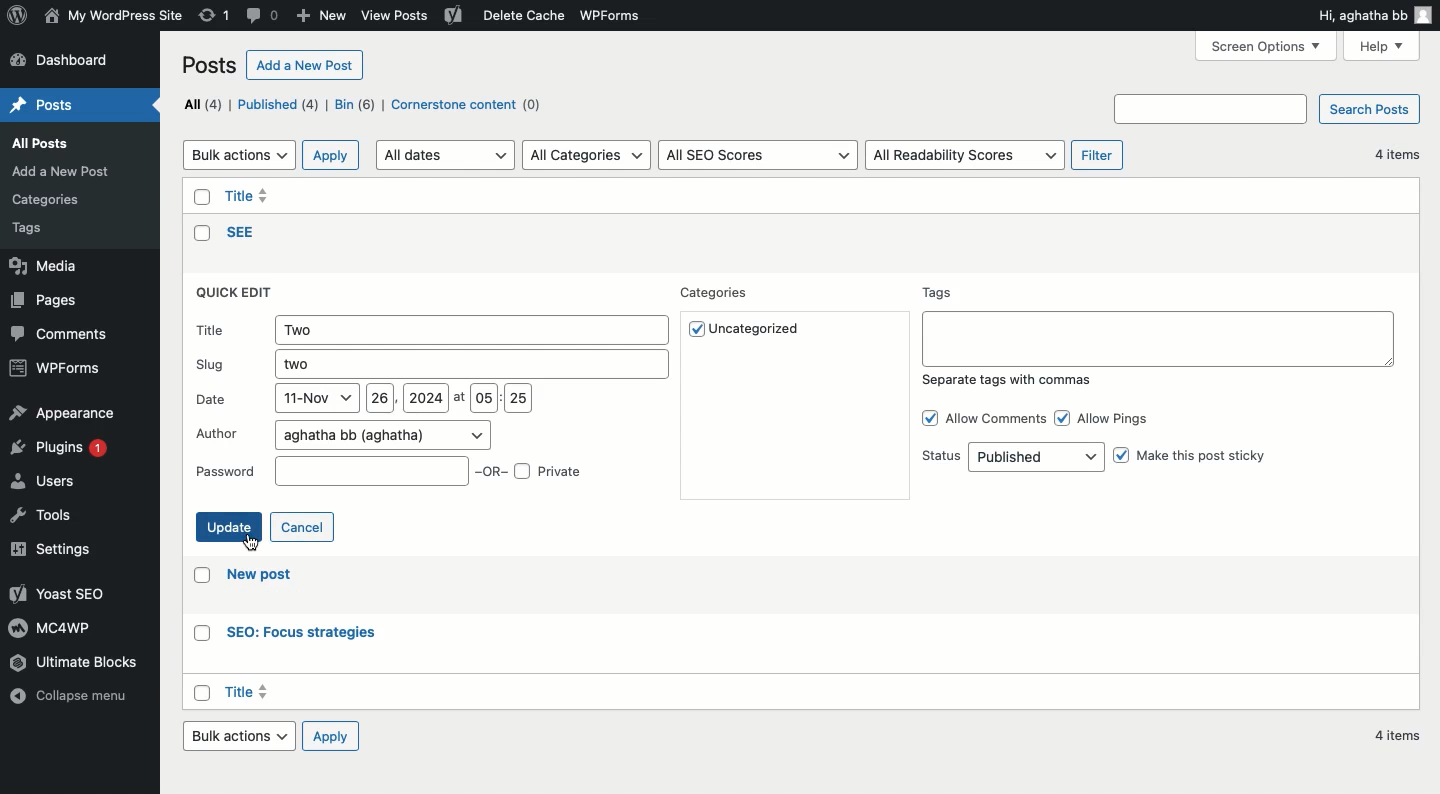 The height and width of the screenshot is (794, 1440). What do you see at coordinates (966, 156) in the screenshot?
I see `All readability scores` at bounding box center [966, 156].